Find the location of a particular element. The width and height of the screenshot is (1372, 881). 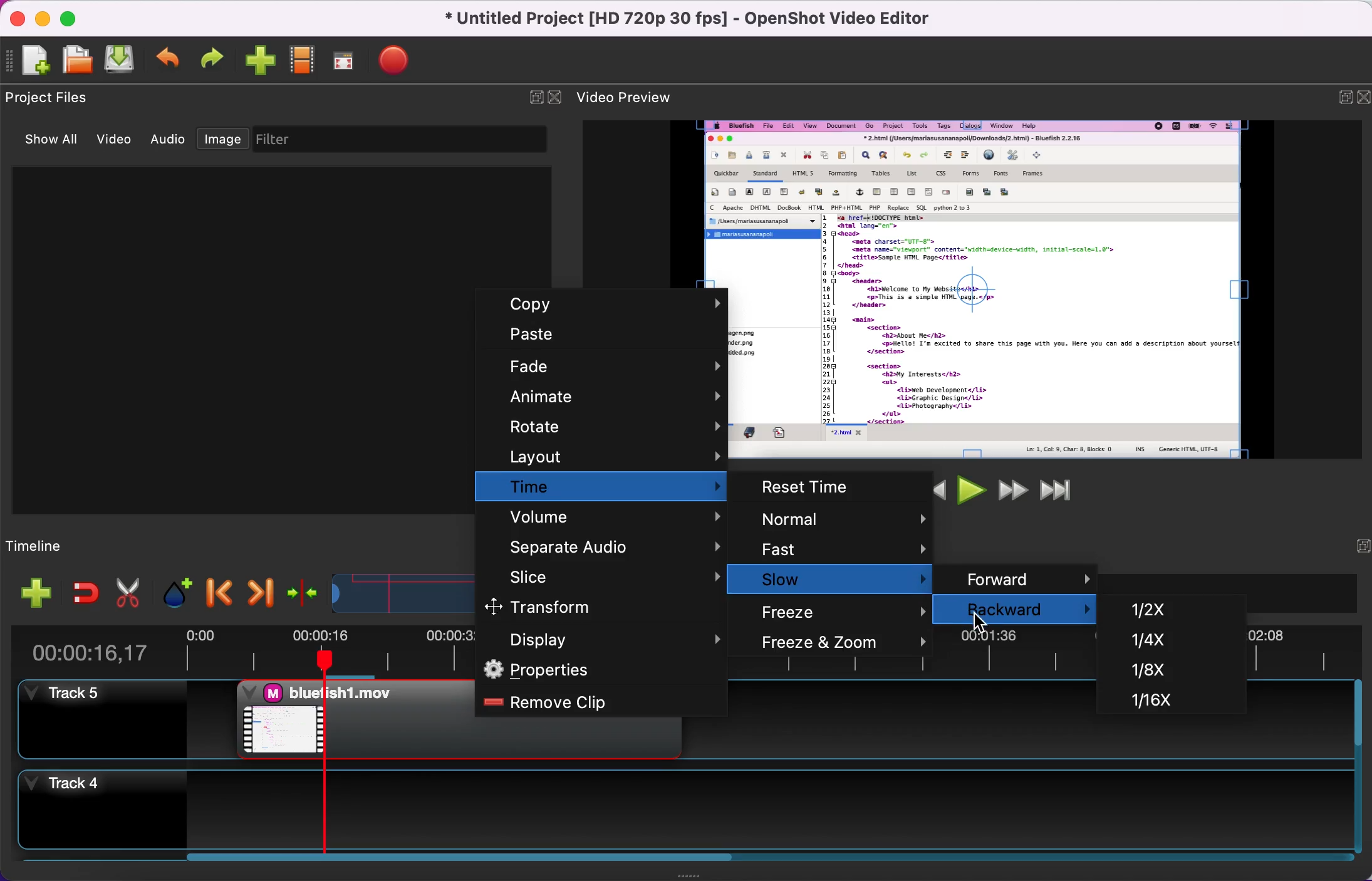

previous marker is located at coordinates (217, 588).